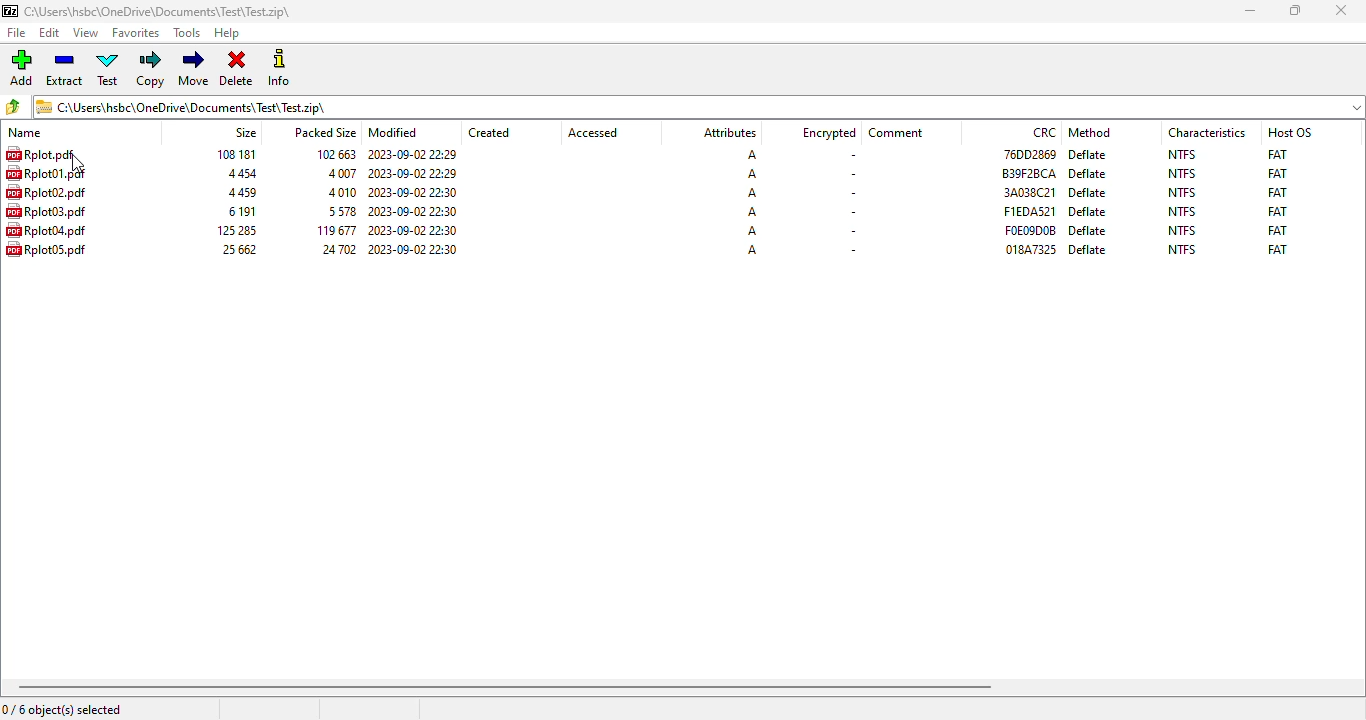 The width and height of the screenshot is (1366, 720). What do you see at coordinates (752, 211) in the screenshot?
I see `A` at bounding box center [752, 211].